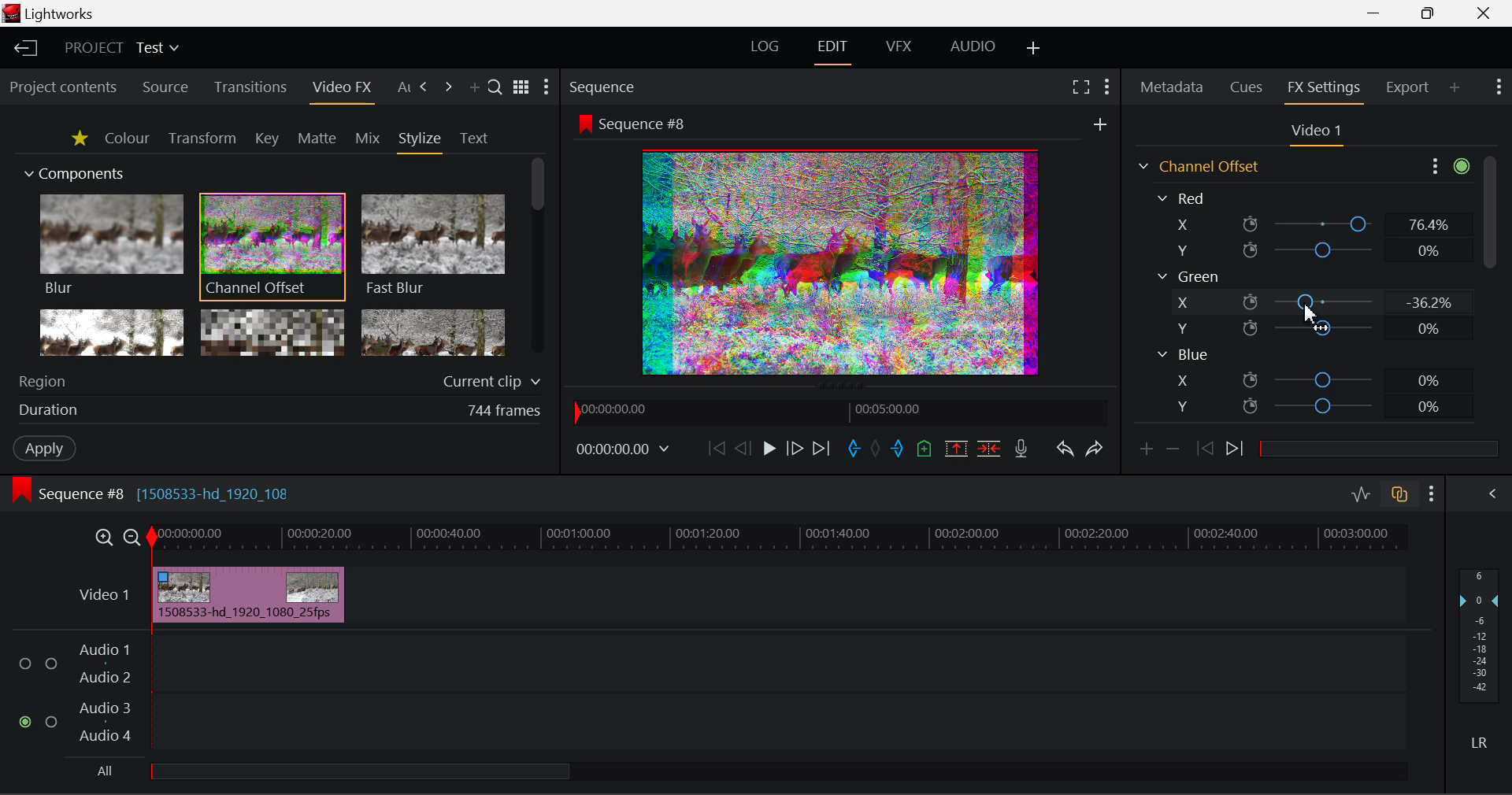 This screenshot has height=795, width=1512. Describe the element at coordinates (1431, 494) in the screenshot. I see `Show Settings` at that location.